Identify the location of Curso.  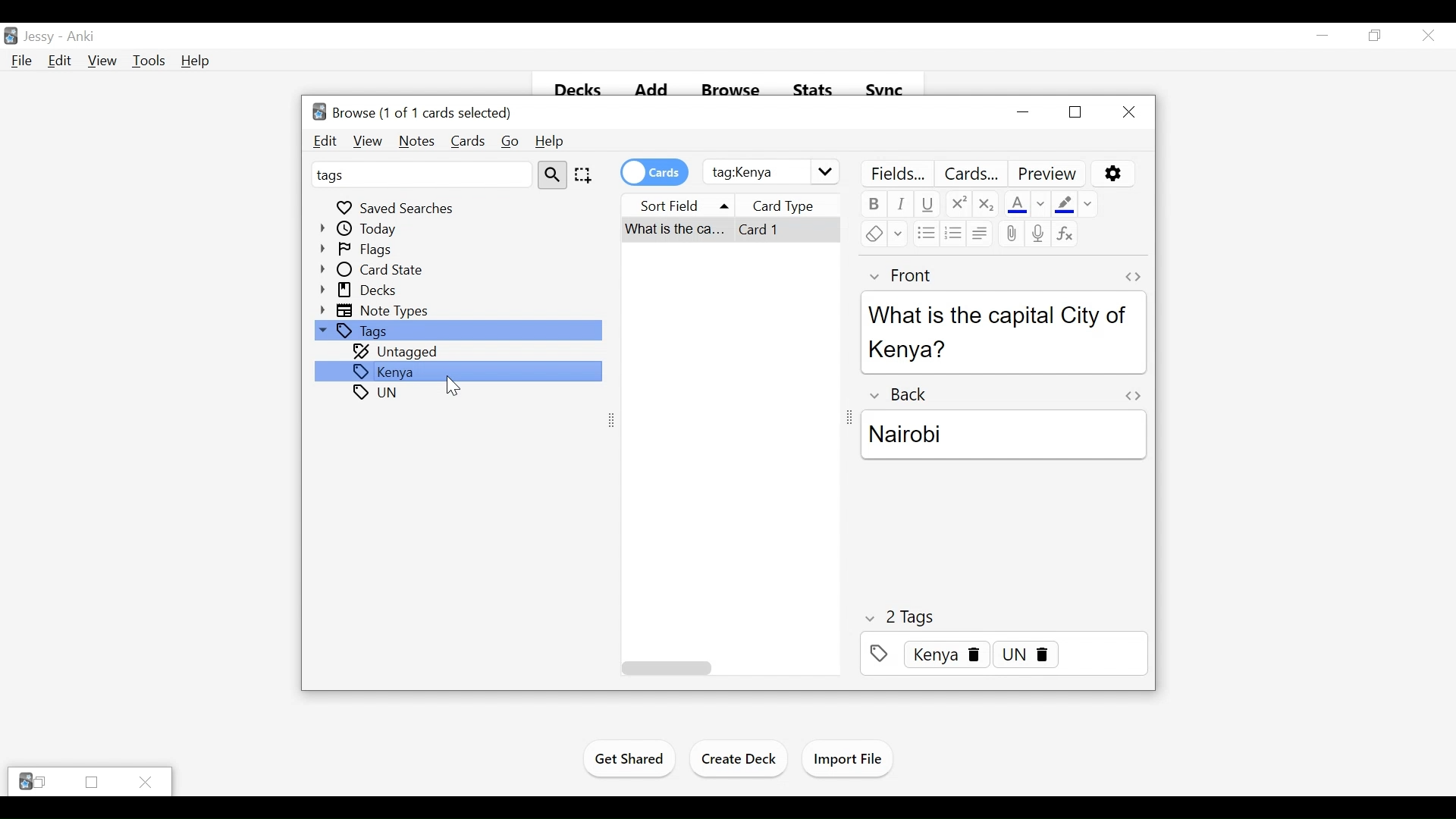
(453, 387).